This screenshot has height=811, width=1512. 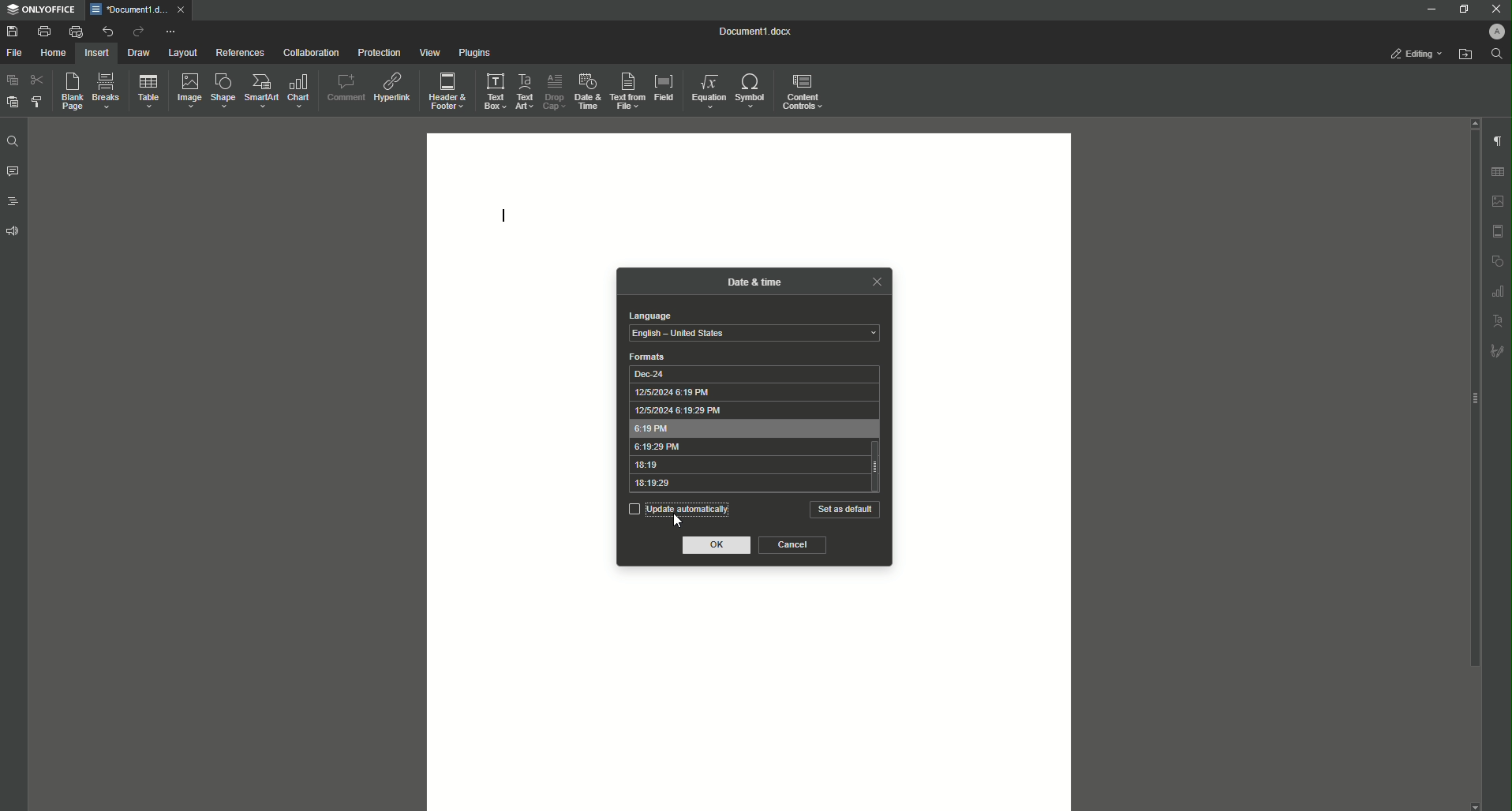 What do you see at coordinates (649, 316) in the screenshot?
I see `language` at bounding box center [649, 316].